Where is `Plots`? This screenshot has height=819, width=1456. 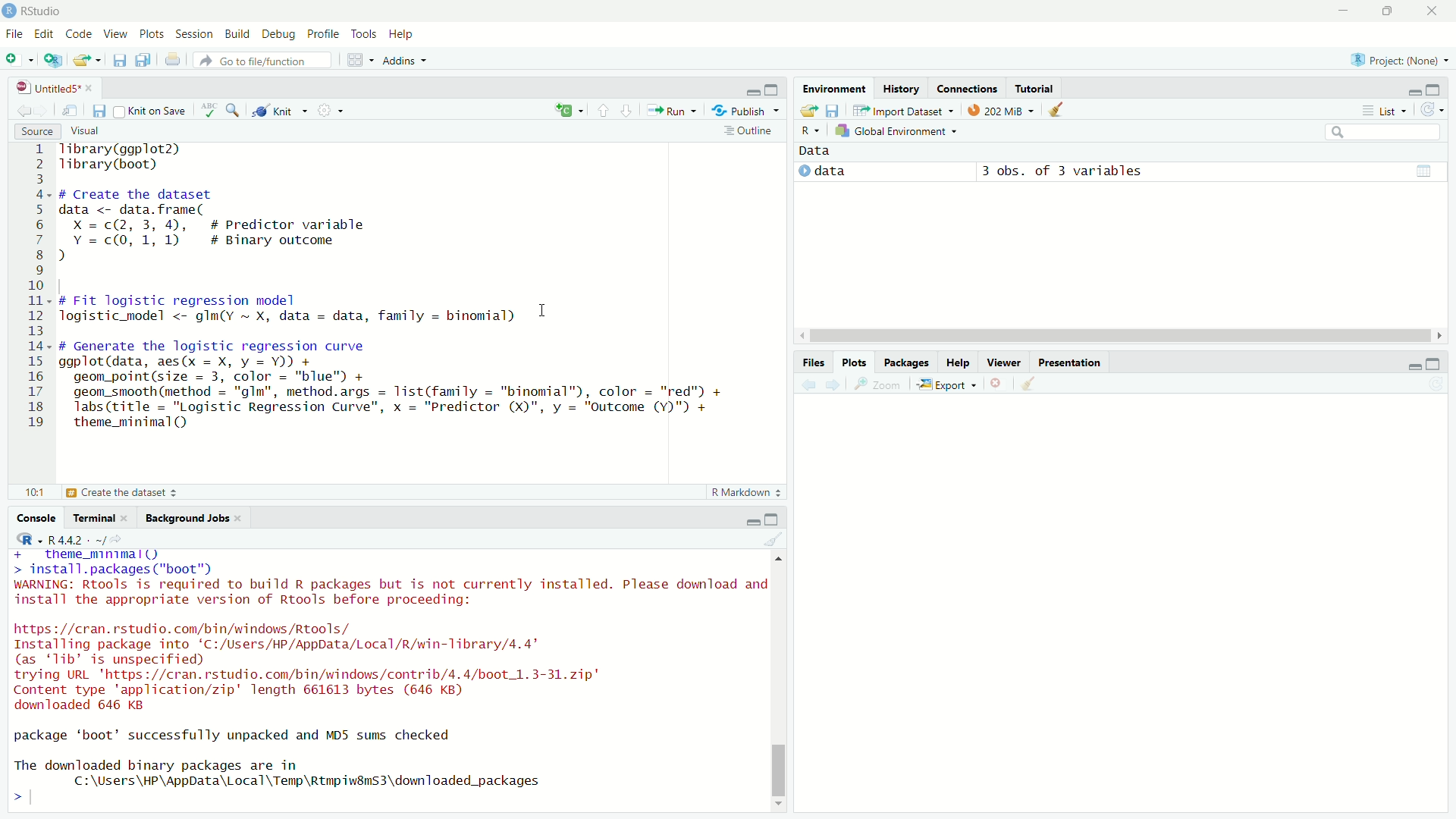 Plots is located at coordinates (151, 33).